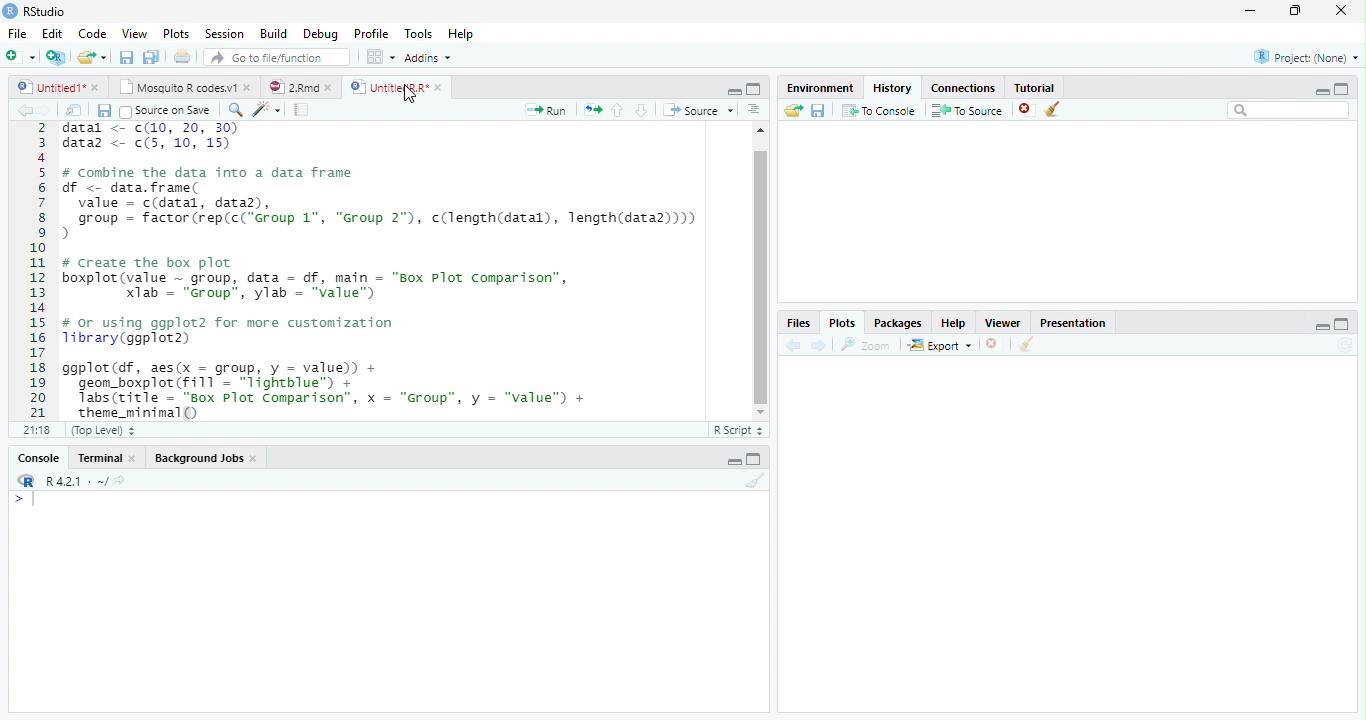 The image size is (1366, 720). Describe the element at coordinates (175, 87) in the screenshot. I see `Mosquito R codes.v1` at that location.